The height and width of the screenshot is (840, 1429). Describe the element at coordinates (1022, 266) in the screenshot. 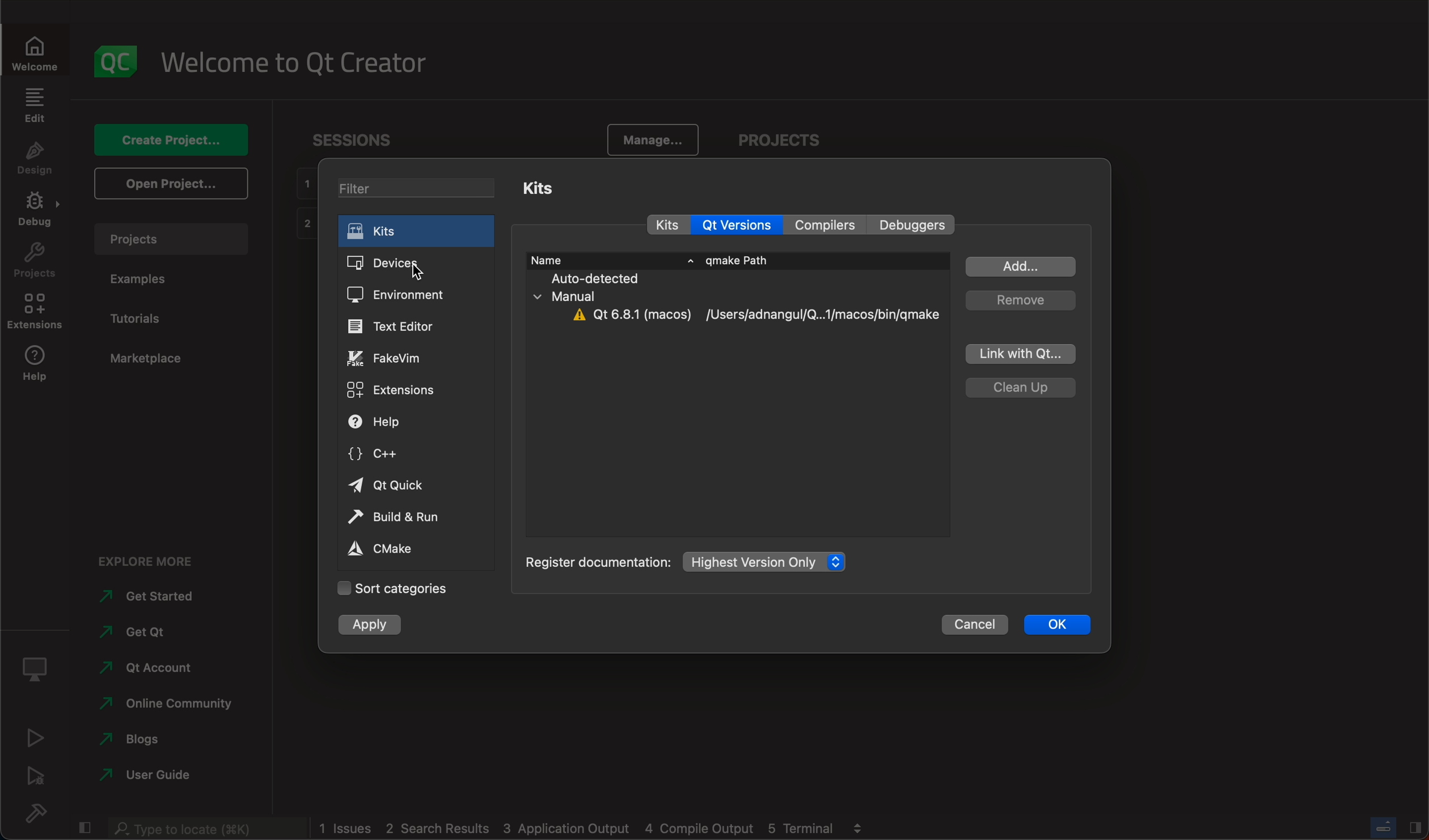

I see `add` at that location.